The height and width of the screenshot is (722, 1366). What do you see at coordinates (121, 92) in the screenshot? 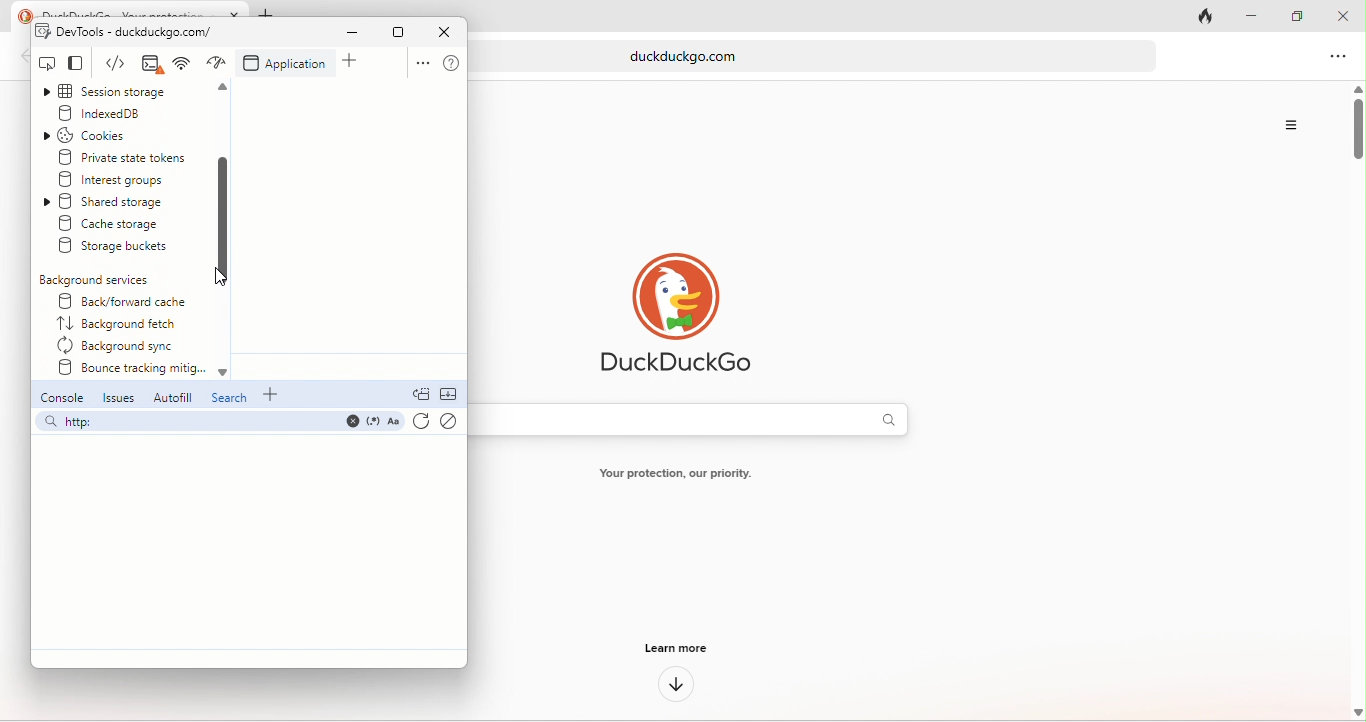
I see `session storage` at bounding box center [121, 92].